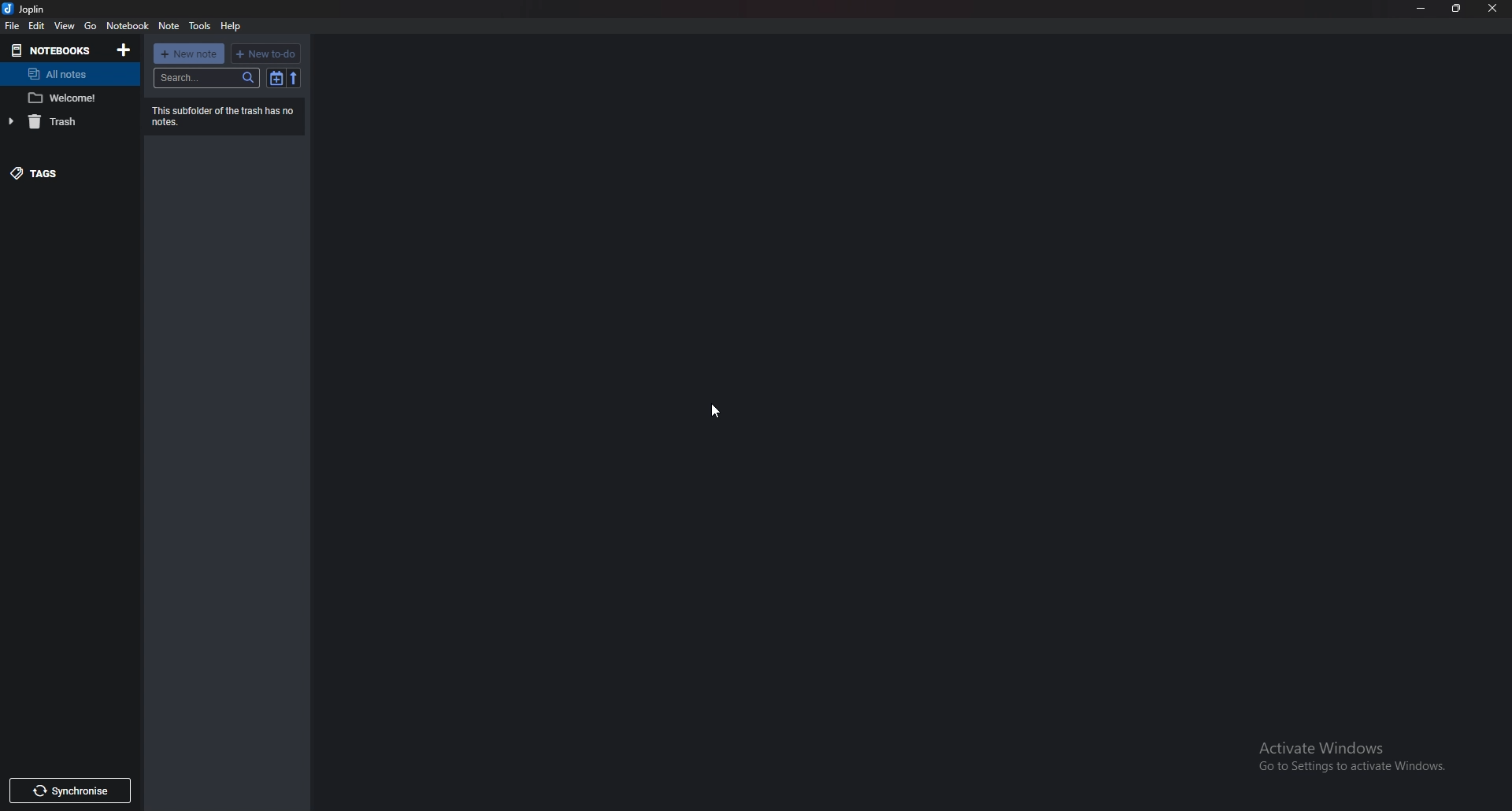 This screenshot has width=1512, height=811. I want to click on notebook, so click(127, 26).